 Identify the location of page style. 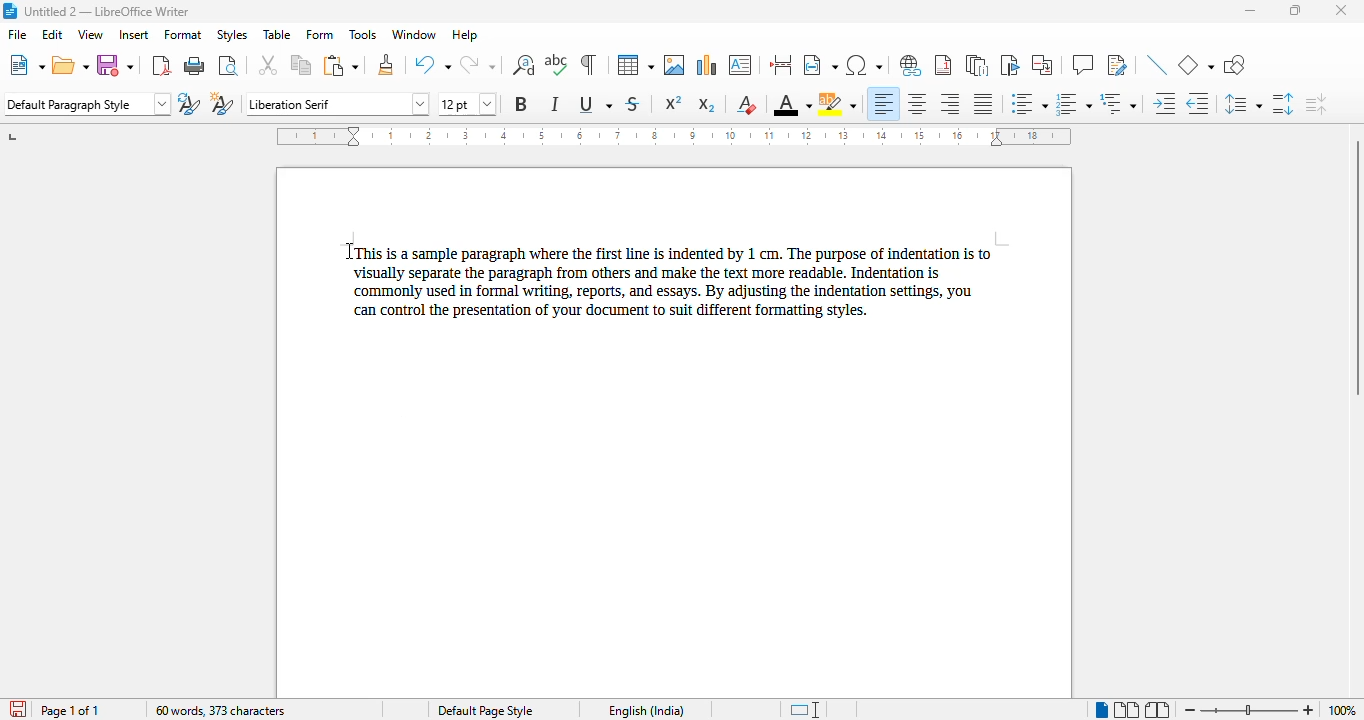
(486, 710).